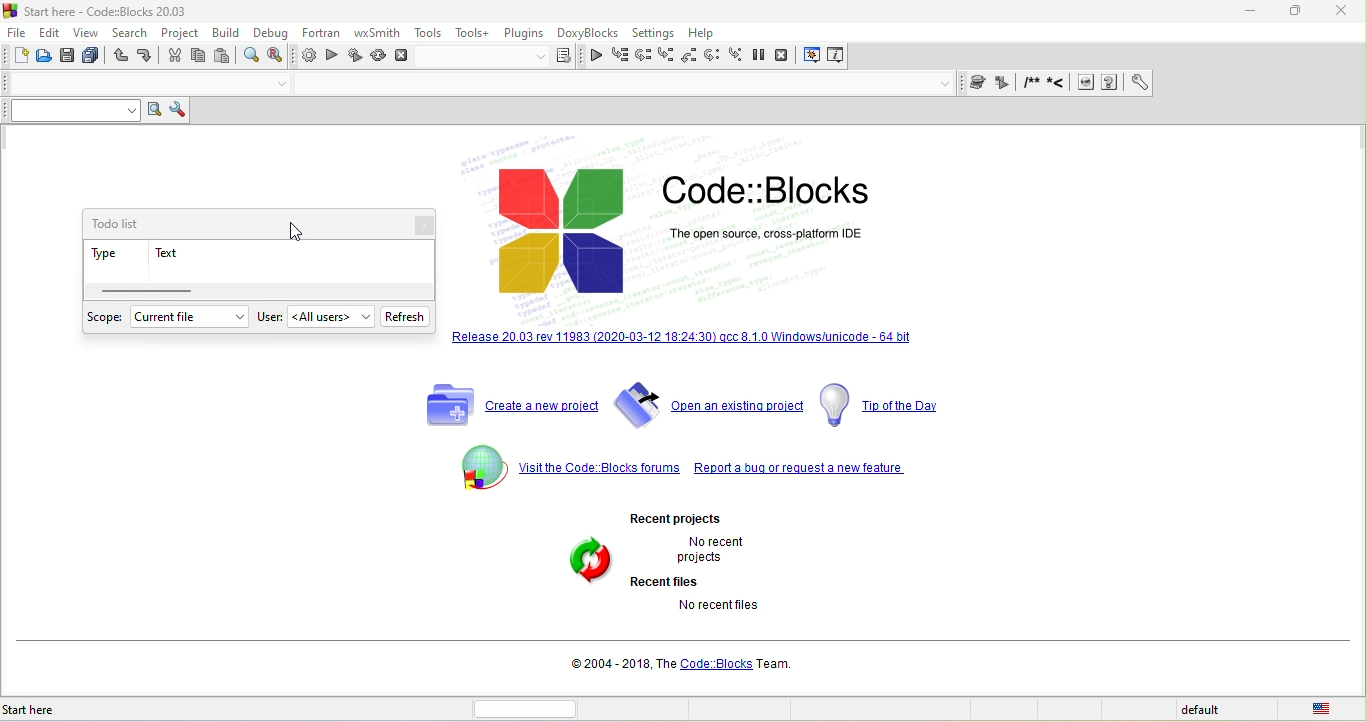 The image size is (1366, 722). What do you see at coordinates (130, 35) in the screenshot?
I see `search` at bounding box center [130, 35].